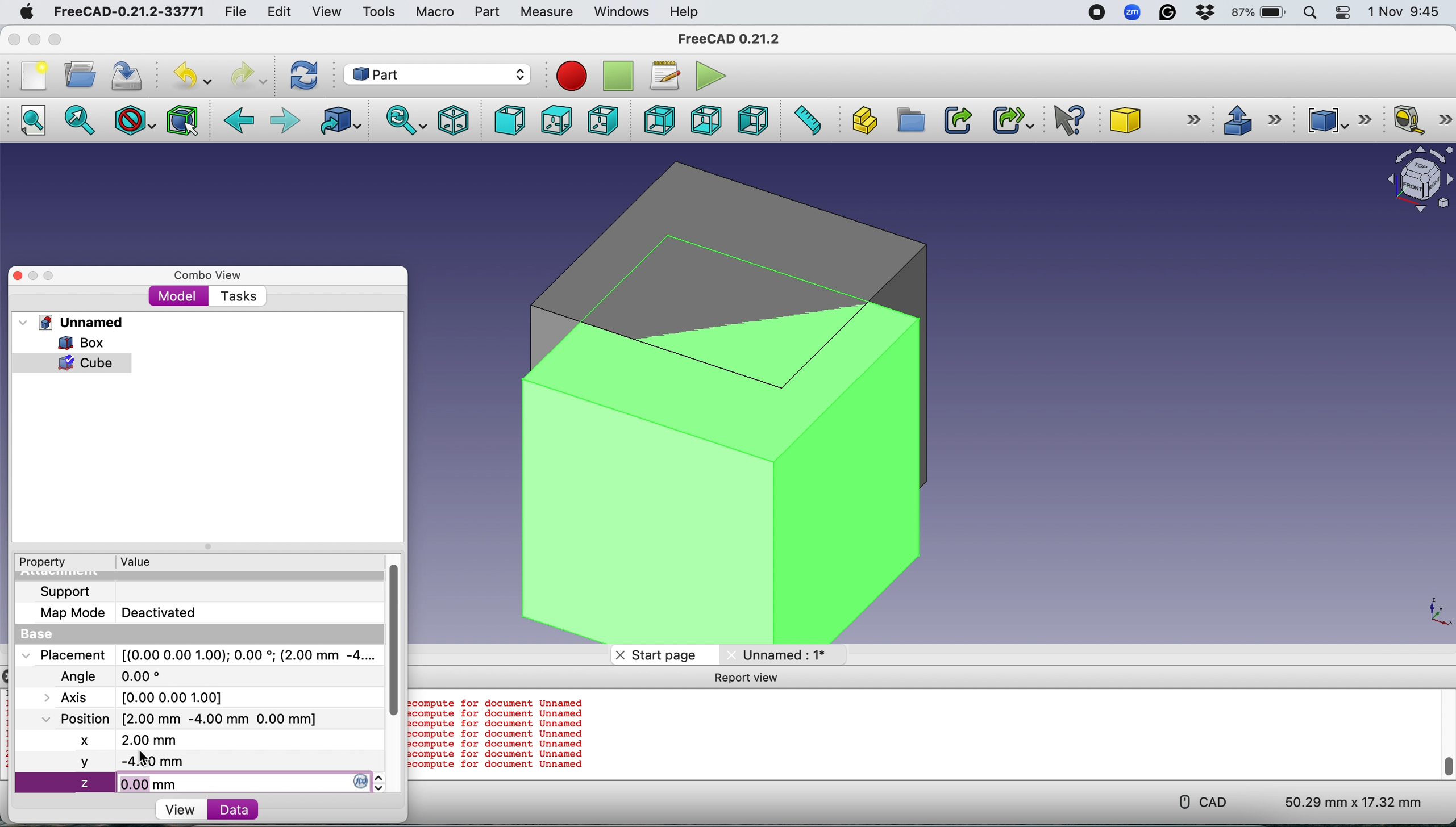  I want to click on Save, so click(130, 73).